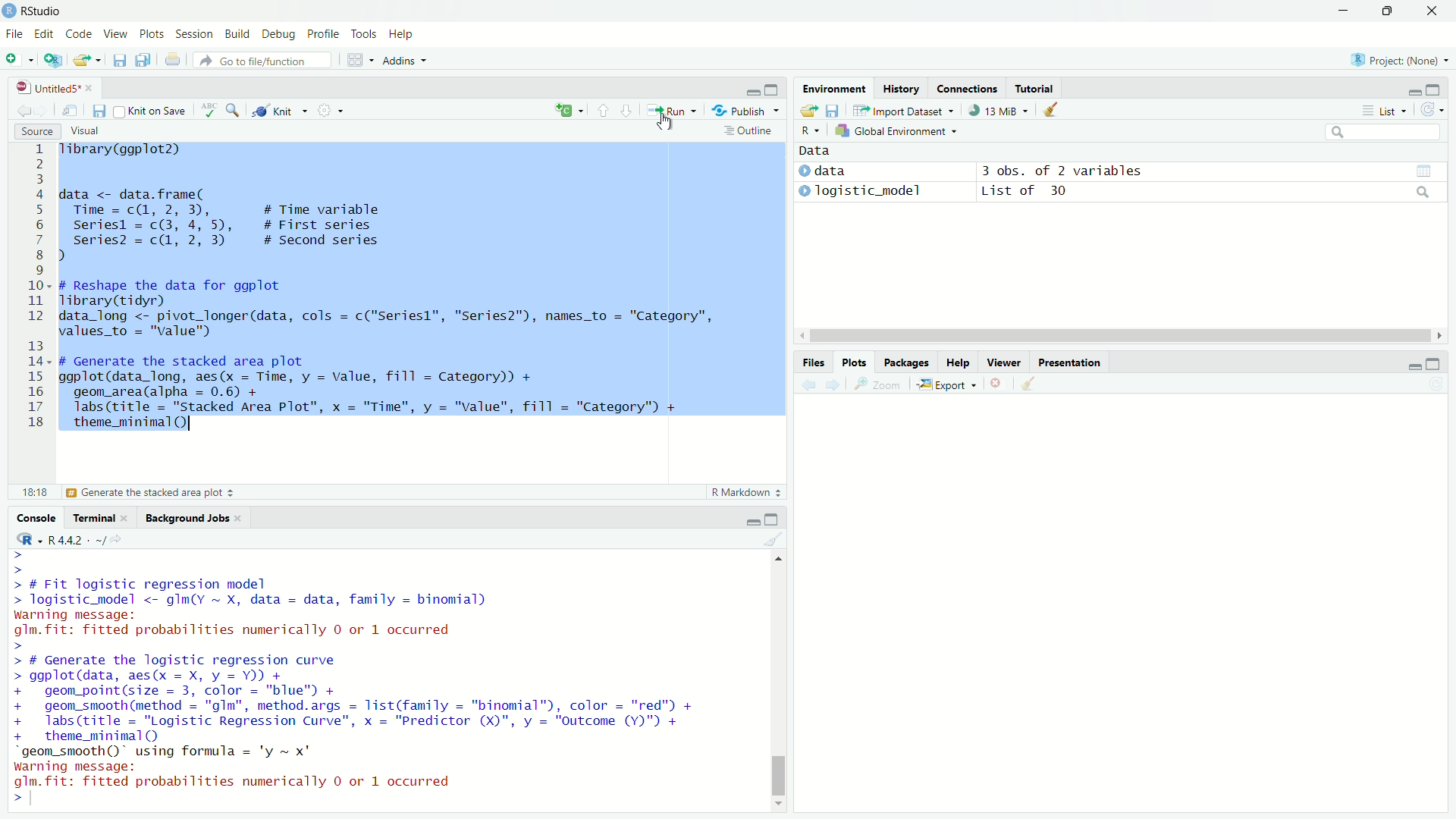 This screenshot has width=1456, height=819. Describe the element at coordinates (18, 59) in the screenshot. I see `add` at that location.